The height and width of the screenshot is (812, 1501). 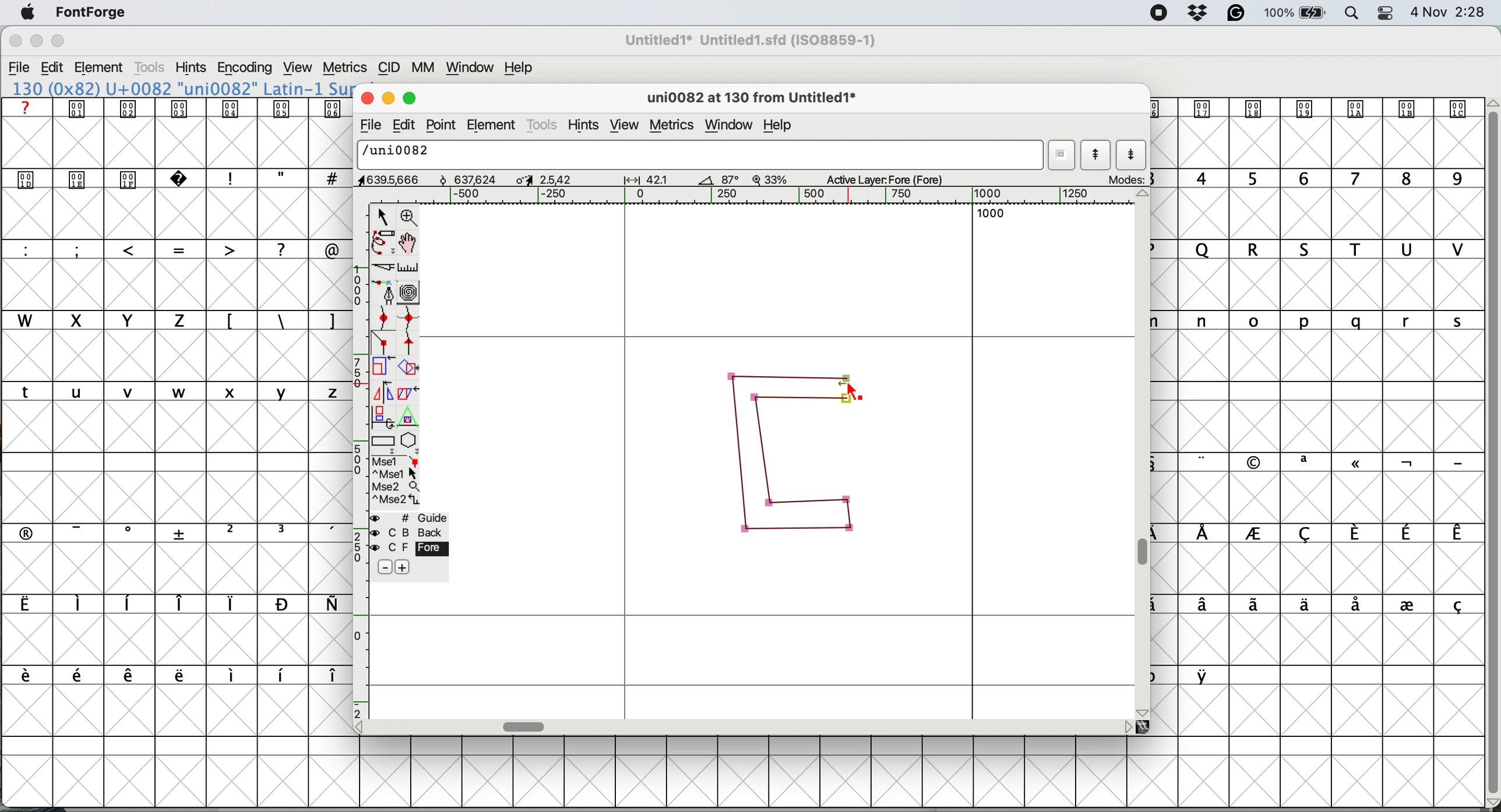 What do you see at coordinates (1238, 14) in the screenshot?
I see `grammarly` at bounding box center [1238, 14].